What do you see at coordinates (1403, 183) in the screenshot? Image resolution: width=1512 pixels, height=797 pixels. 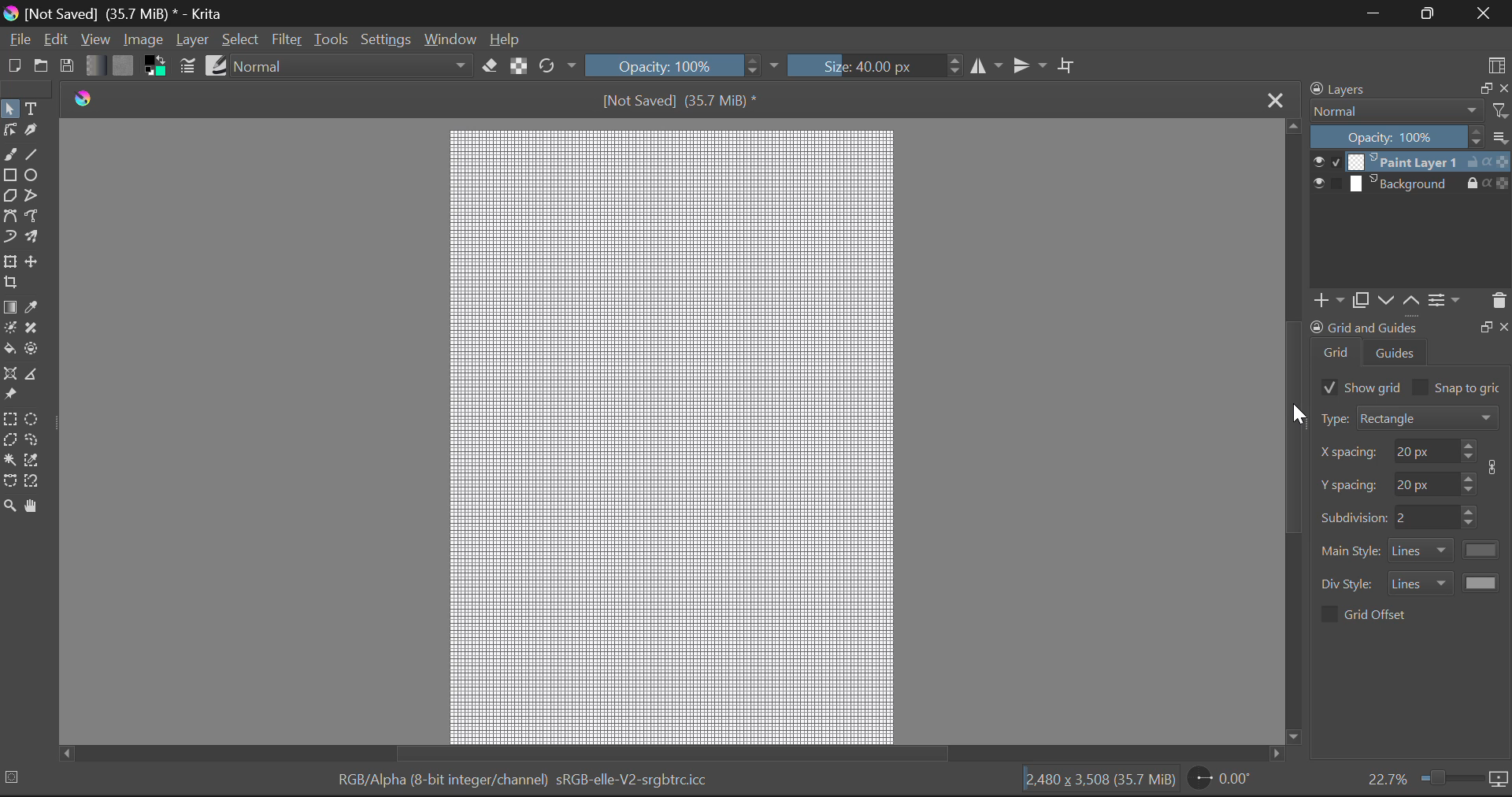 I see `layer 2` at bounding box center [1403, 183].